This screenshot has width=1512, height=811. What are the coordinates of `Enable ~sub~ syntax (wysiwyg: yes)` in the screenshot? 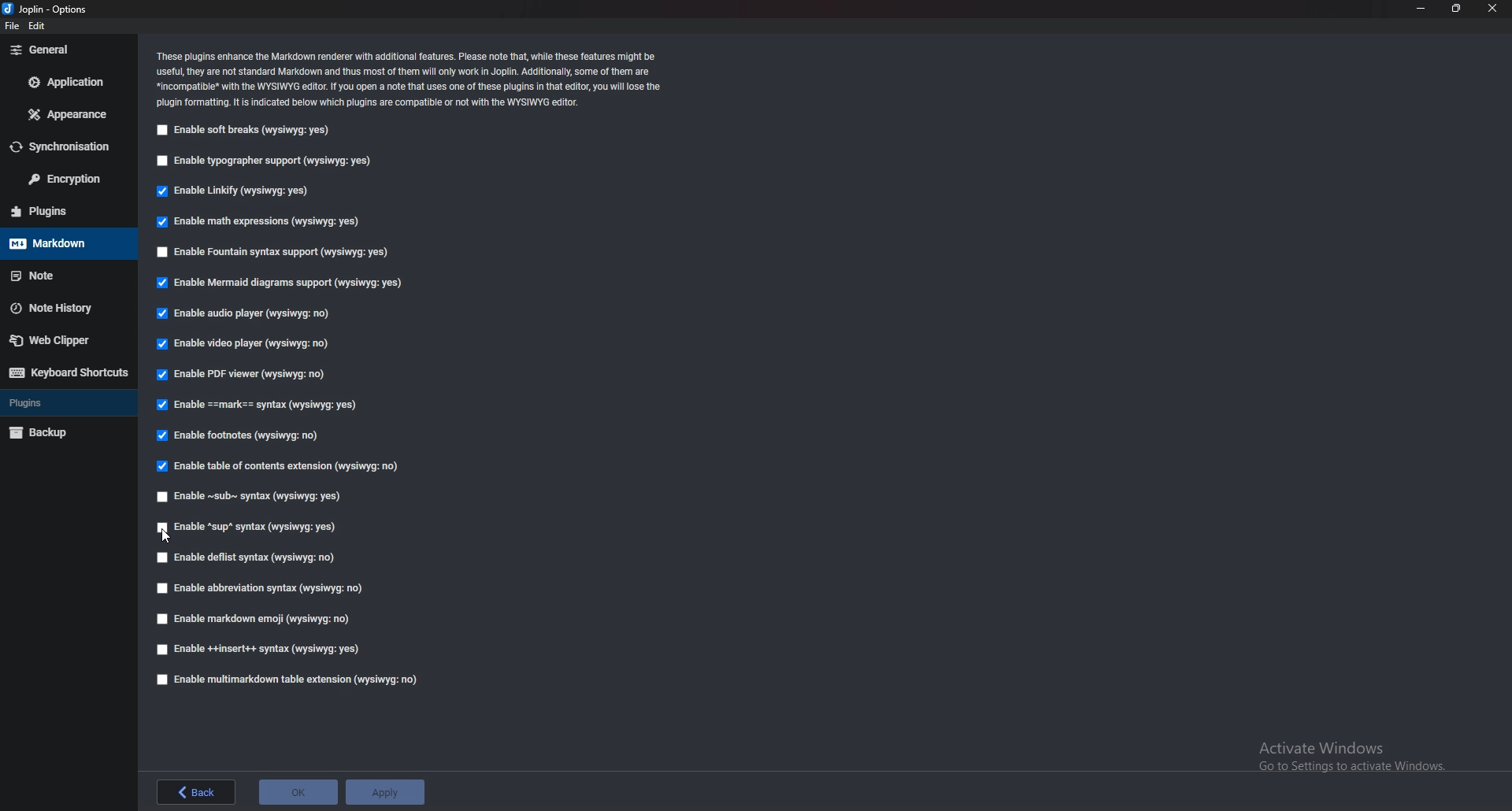 It's located at (254, 495).